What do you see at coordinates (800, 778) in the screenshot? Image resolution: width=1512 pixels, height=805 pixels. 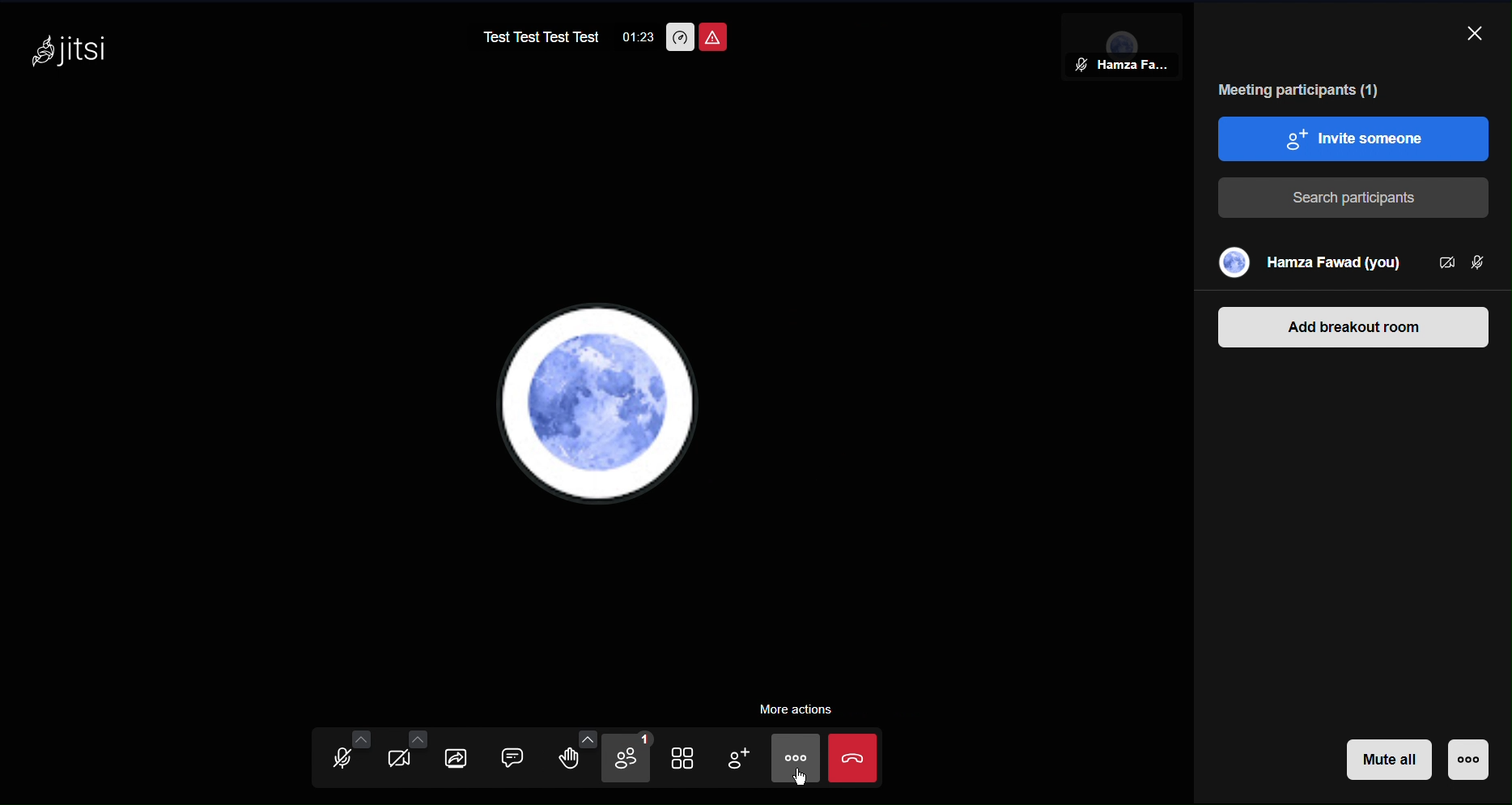 I see `cursor` at bounding box center [800, 778].